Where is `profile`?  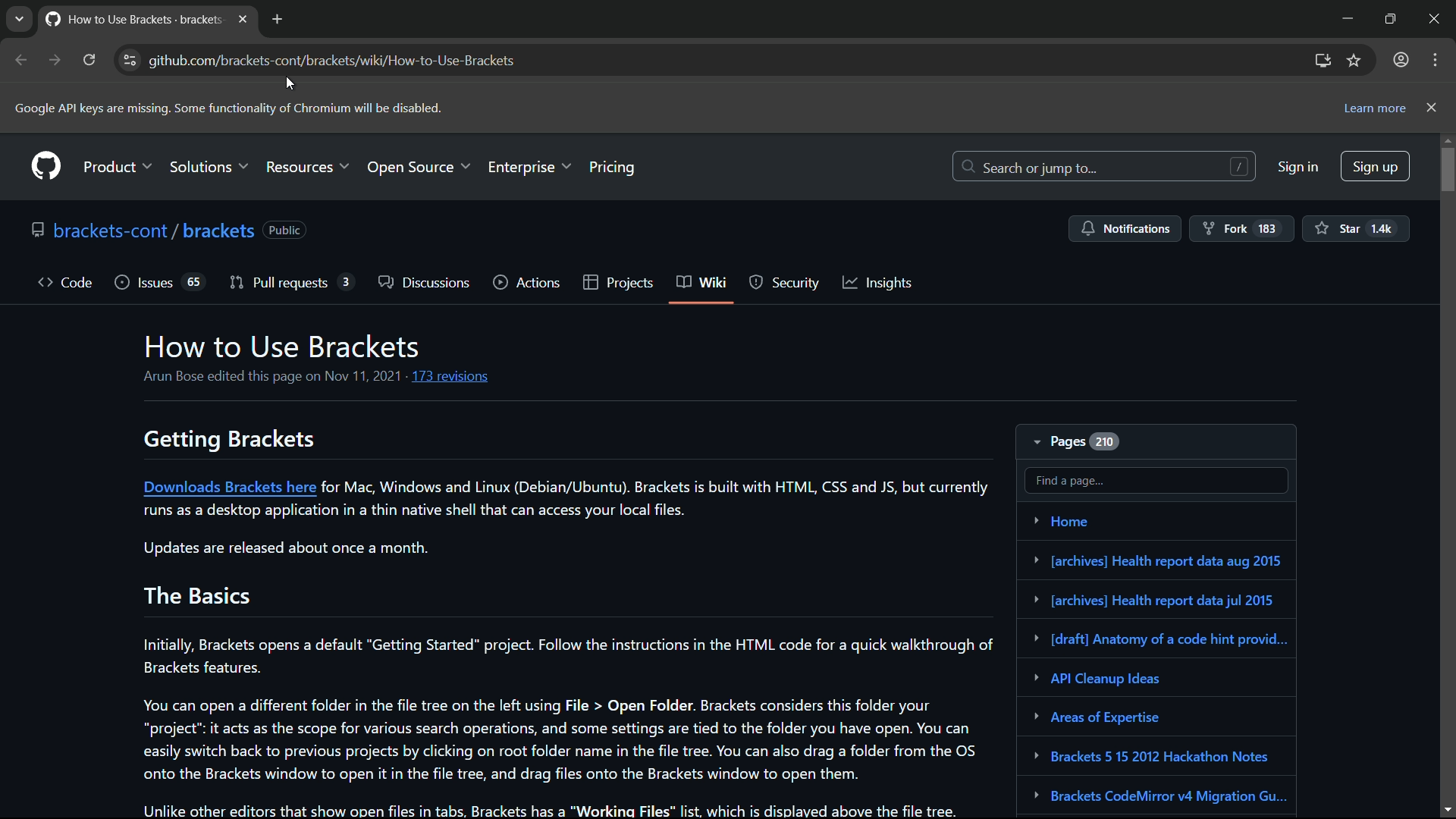 profile is located at coordinates (1401, 60).